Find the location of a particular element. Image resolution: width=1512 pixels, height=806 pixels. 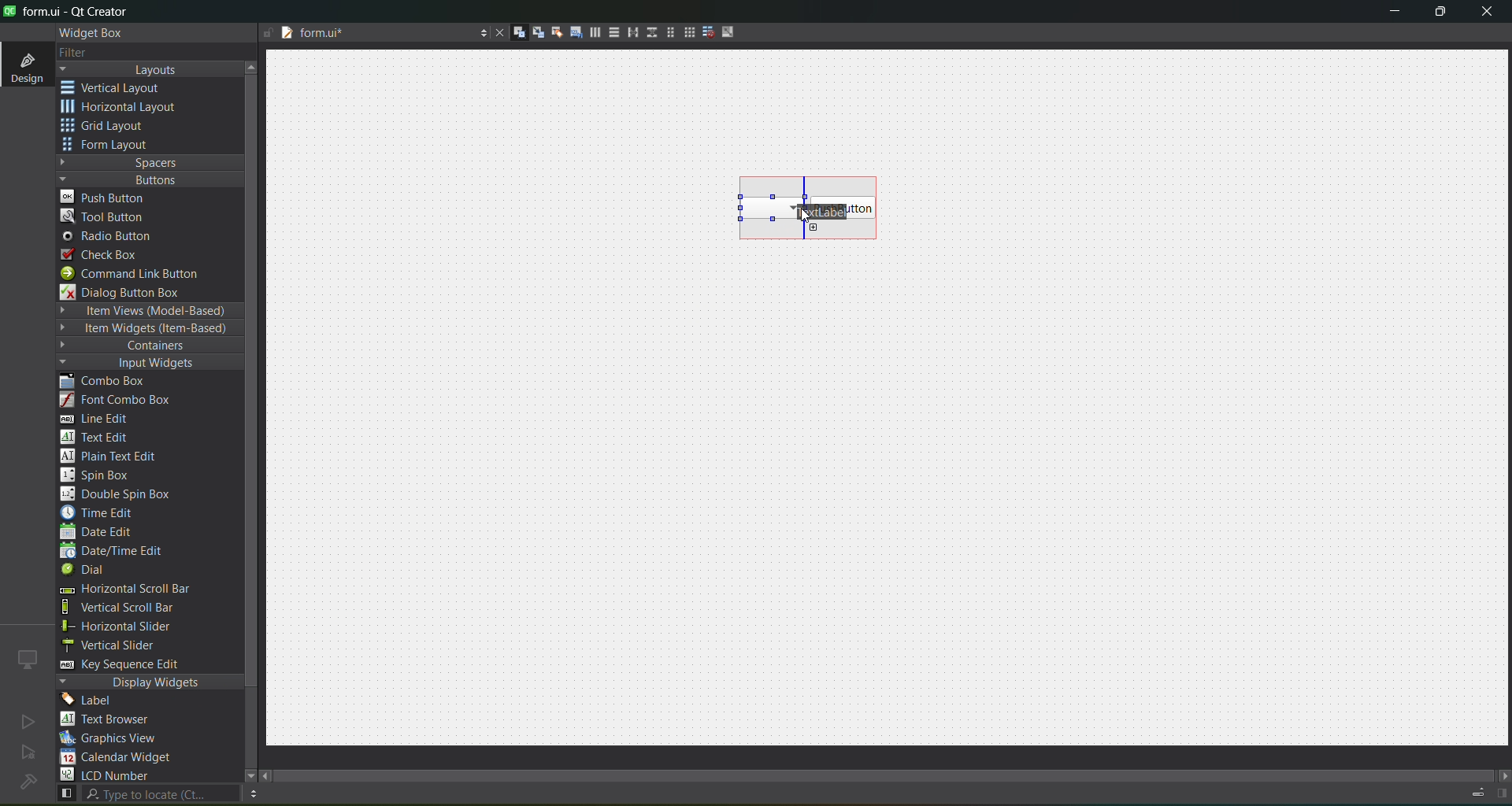

move up is located at coordinates (254, 65).